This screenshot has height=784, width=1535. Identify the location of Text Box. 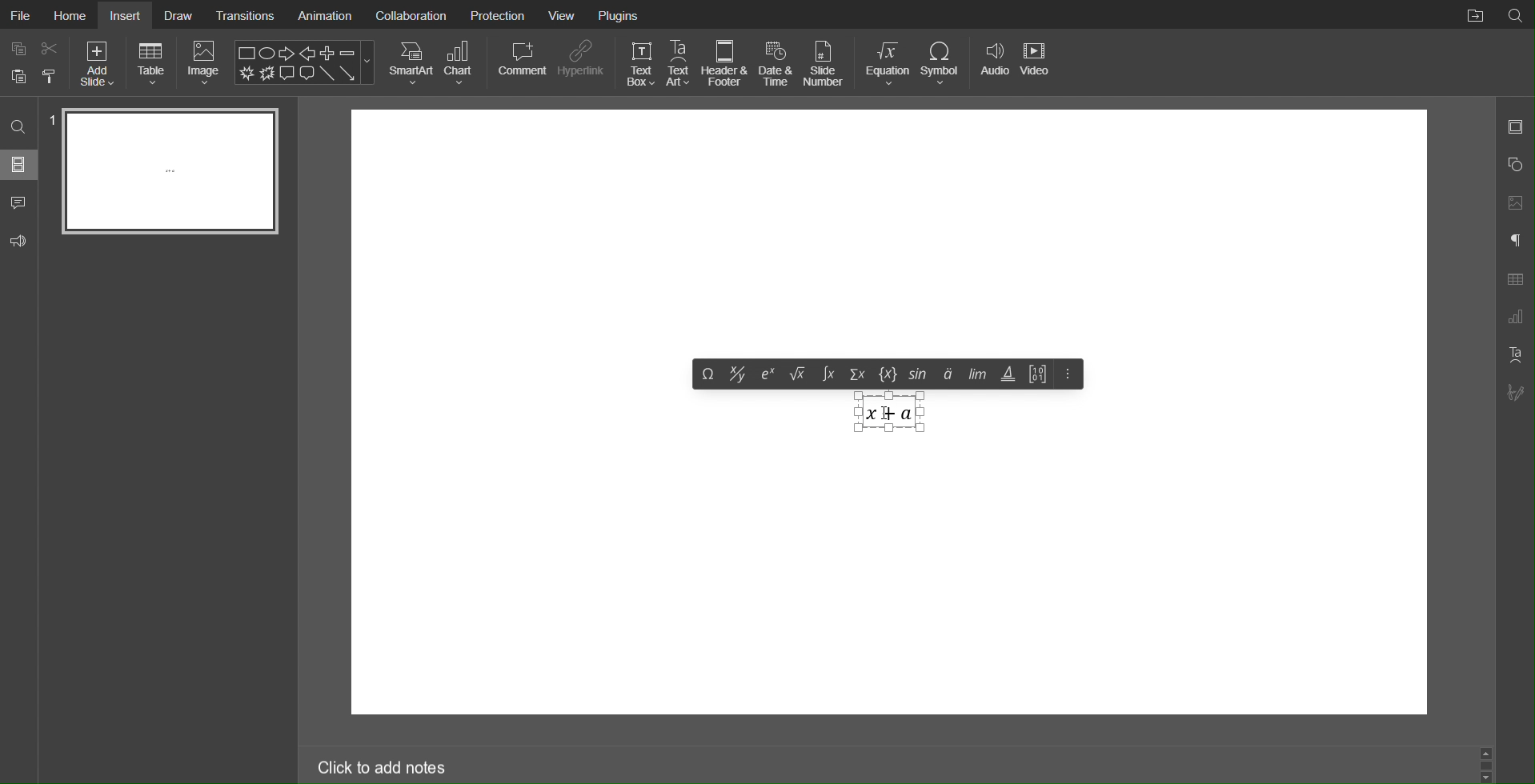
(638, 63).